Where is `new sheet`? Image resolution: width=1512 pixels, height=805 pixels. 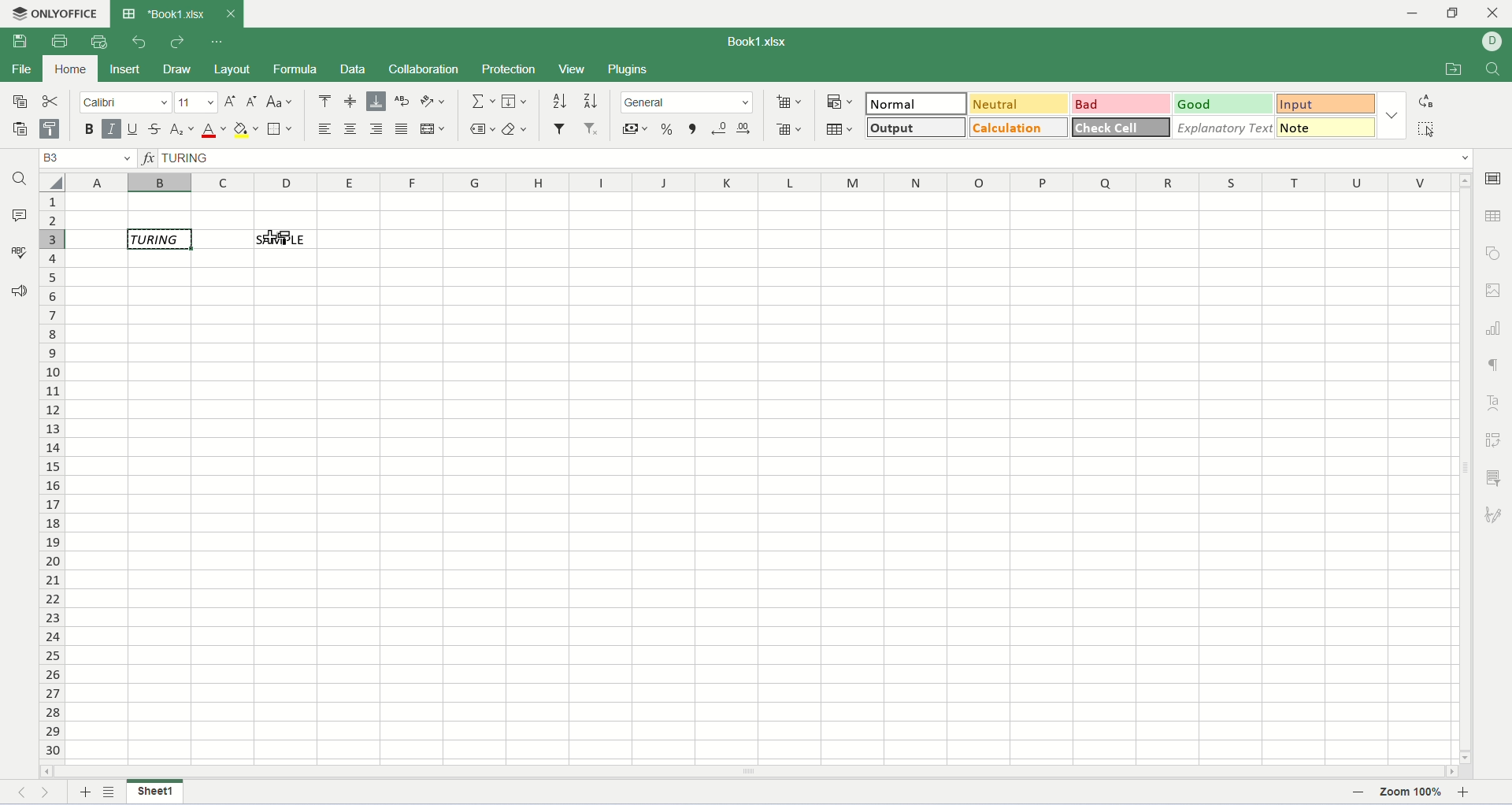
new sheet is located at coordinates (86, 794).